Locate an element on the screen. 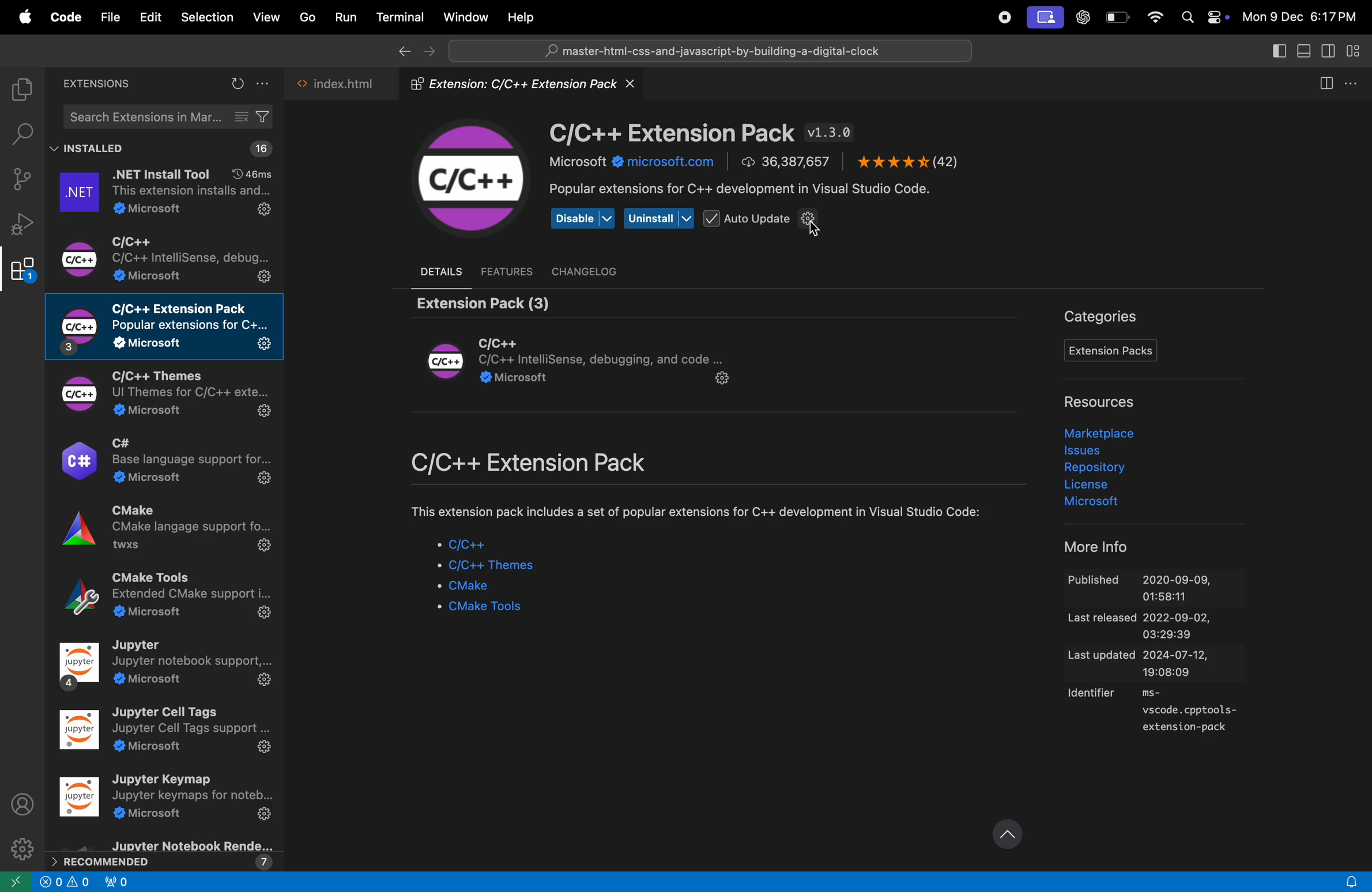 This screenshot has width=1372, height=892. Categories is located at coordinates (1106, 317).